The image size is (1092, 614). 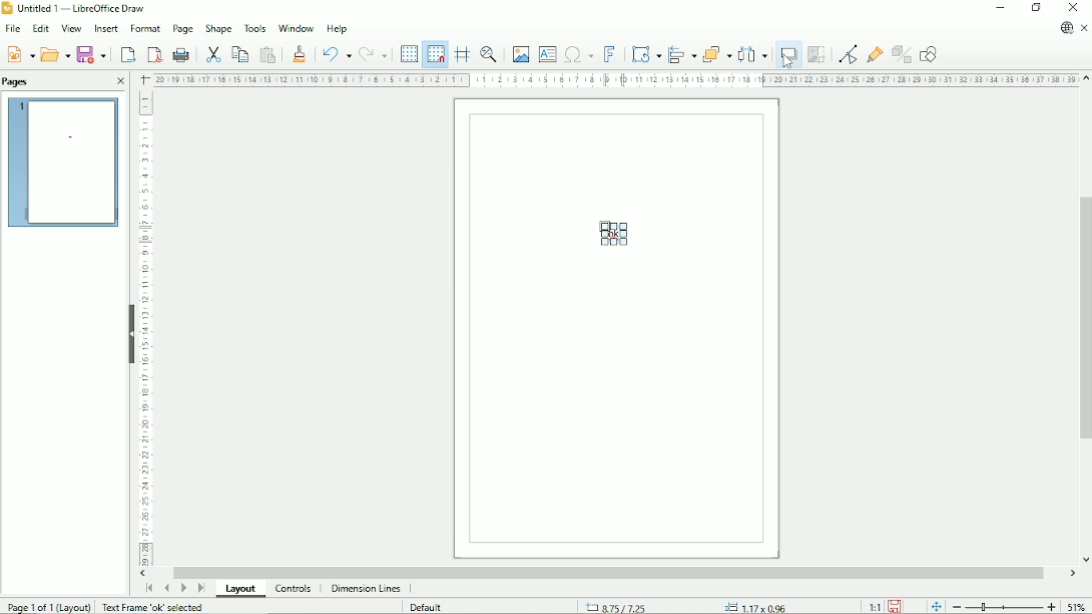 What do you see at coordinates (366, 588) in the screenshot?
I see `Dimension lines` at bounding box center [366, 588].